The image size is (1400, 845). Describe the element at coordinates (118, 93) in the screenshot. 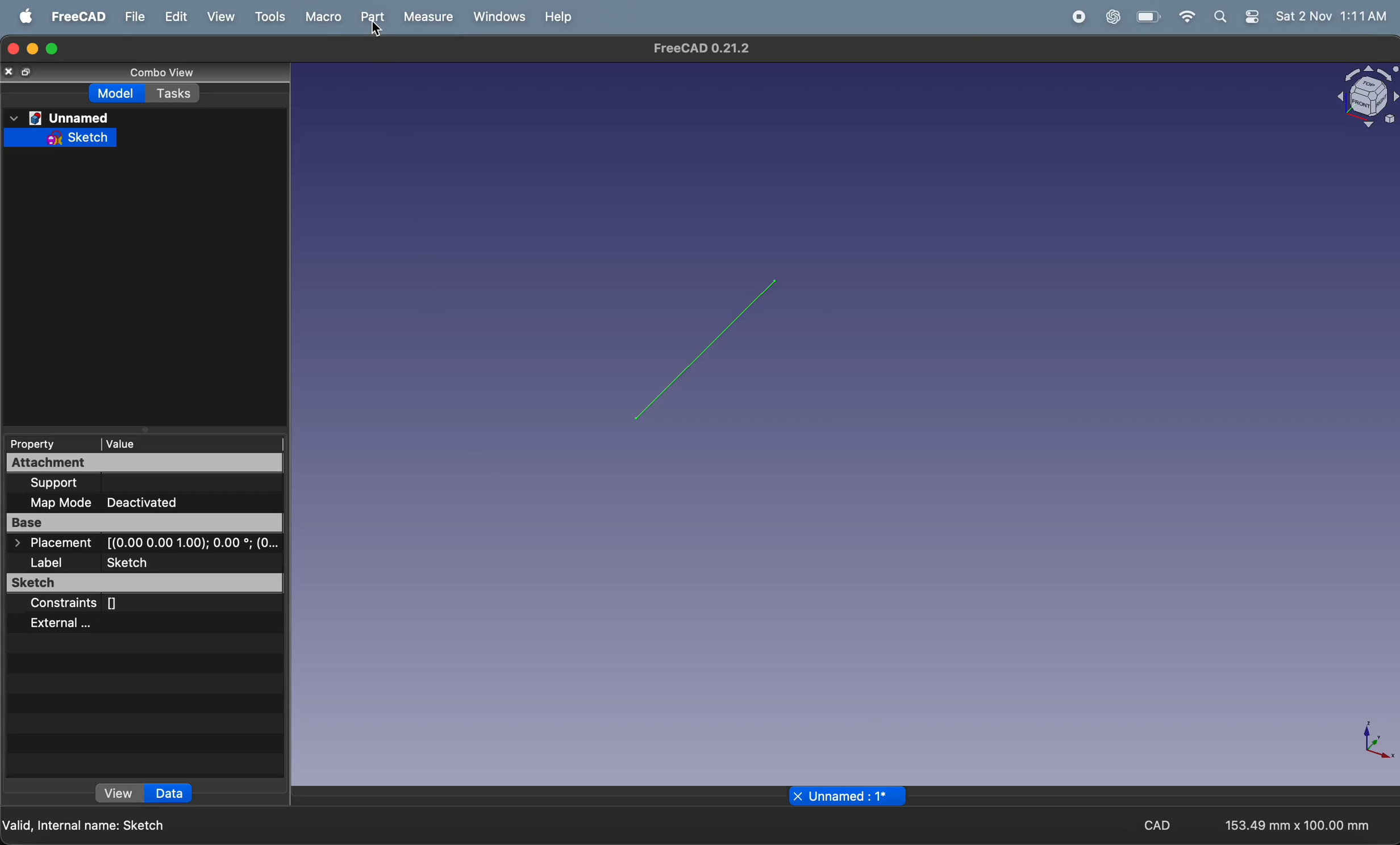

I see `model` at that location.